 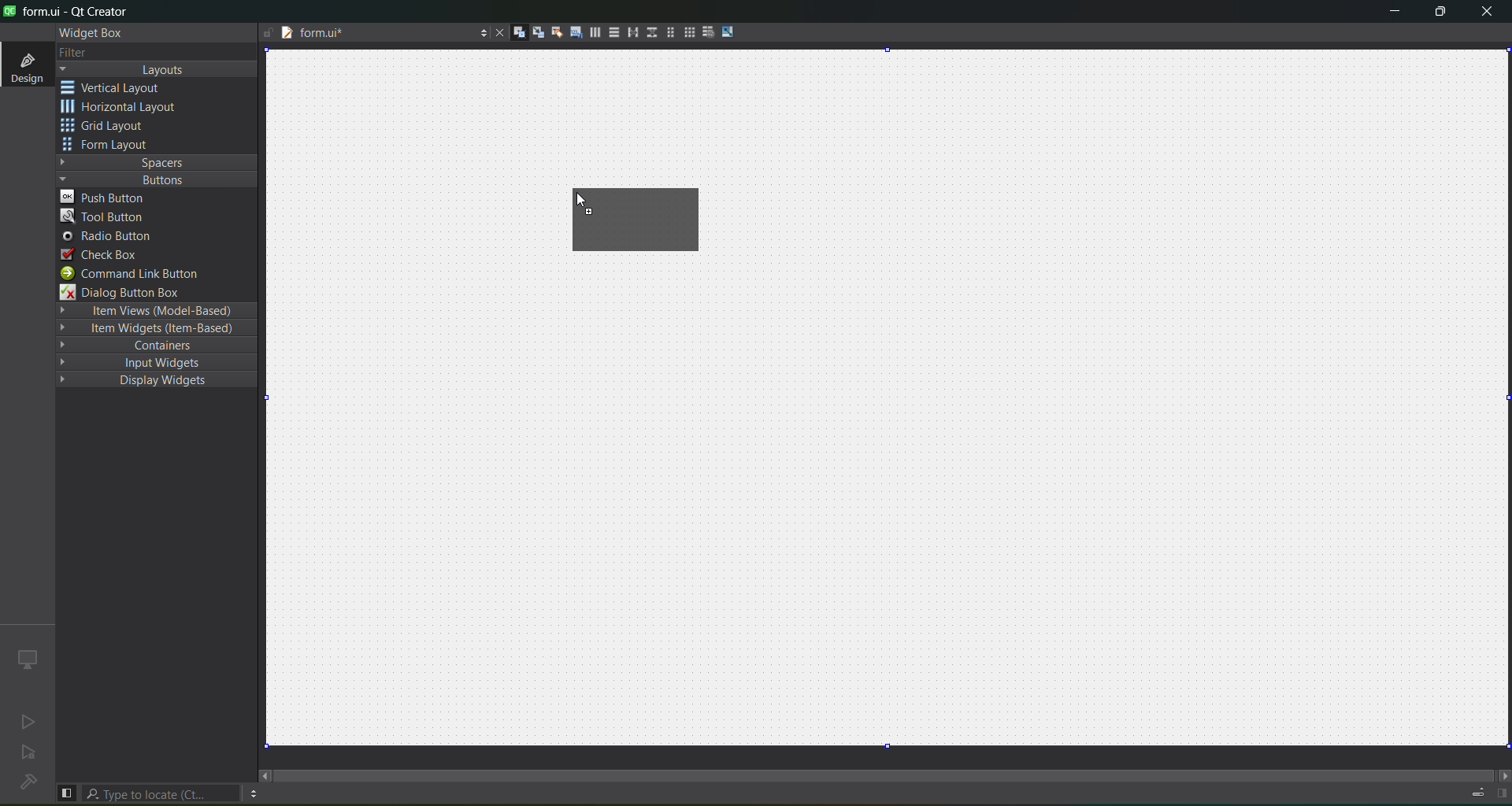 What do you see at coordinates (688, 34) in the screenshot?
I see `layout in a grid` at bounding box center [688, 34].